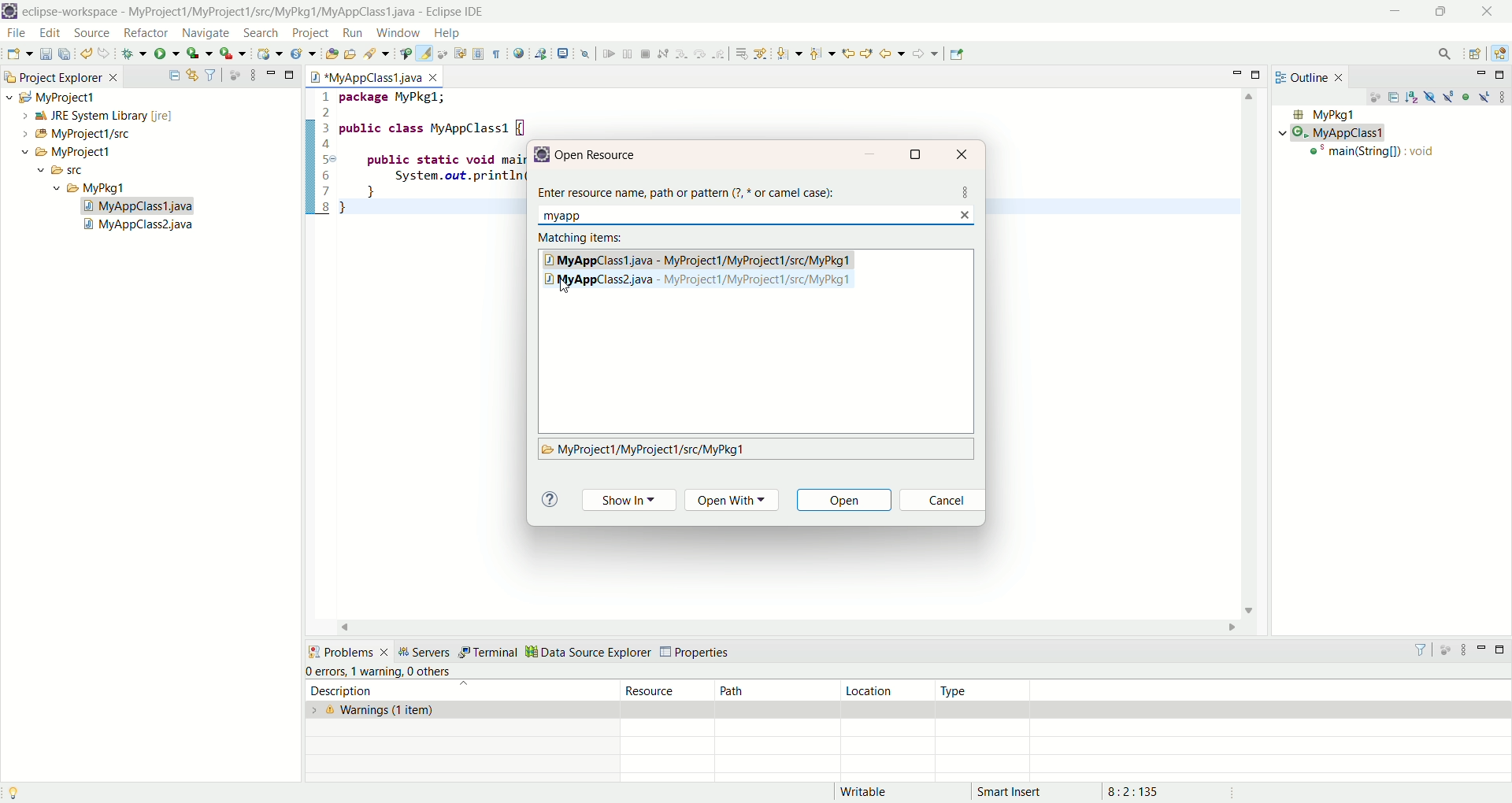  I want to click on navigate, so click(206, 31).